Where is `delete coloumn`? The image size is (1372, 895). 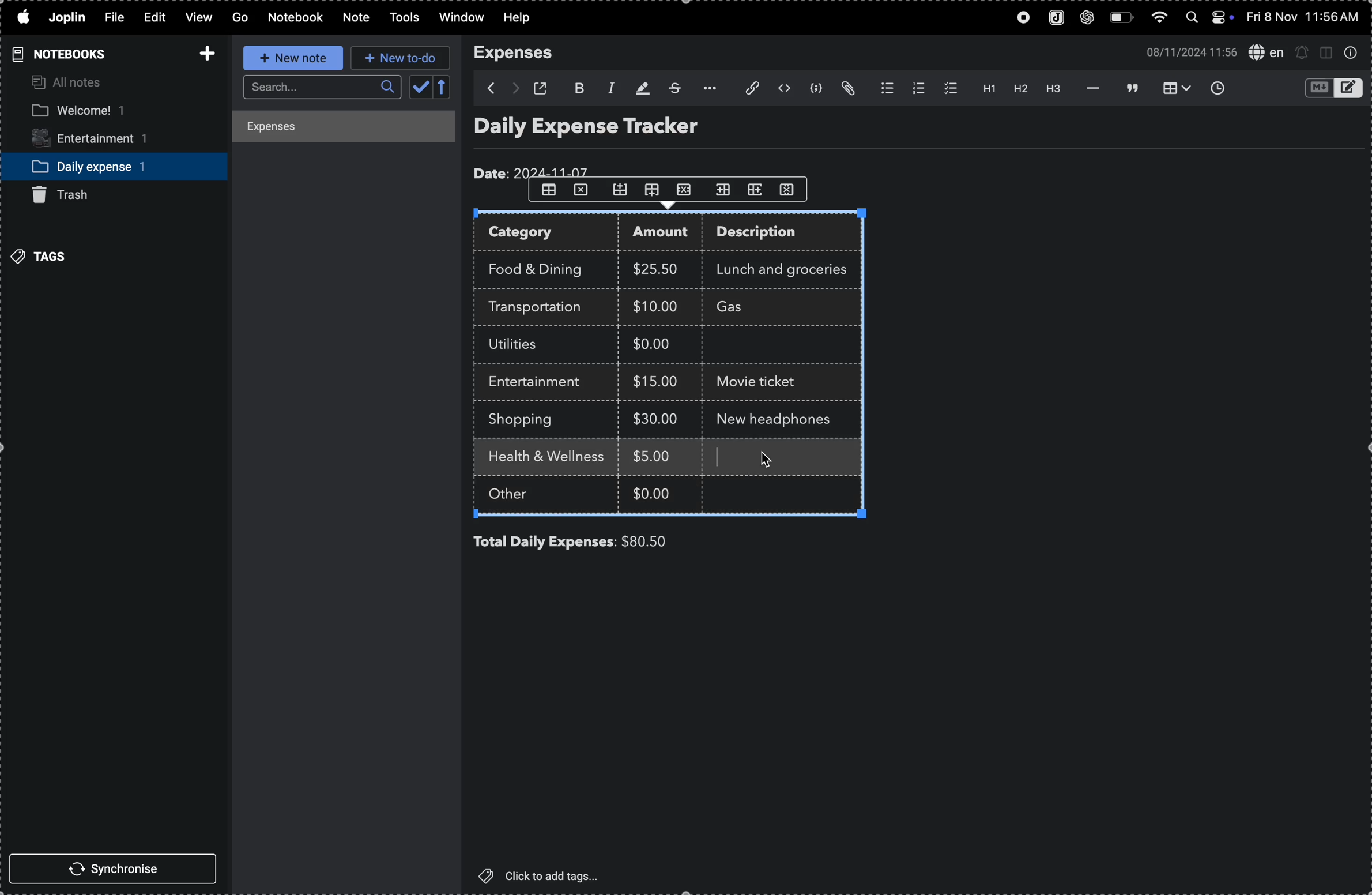 delete coloumn is located at coordinates (793, 189).